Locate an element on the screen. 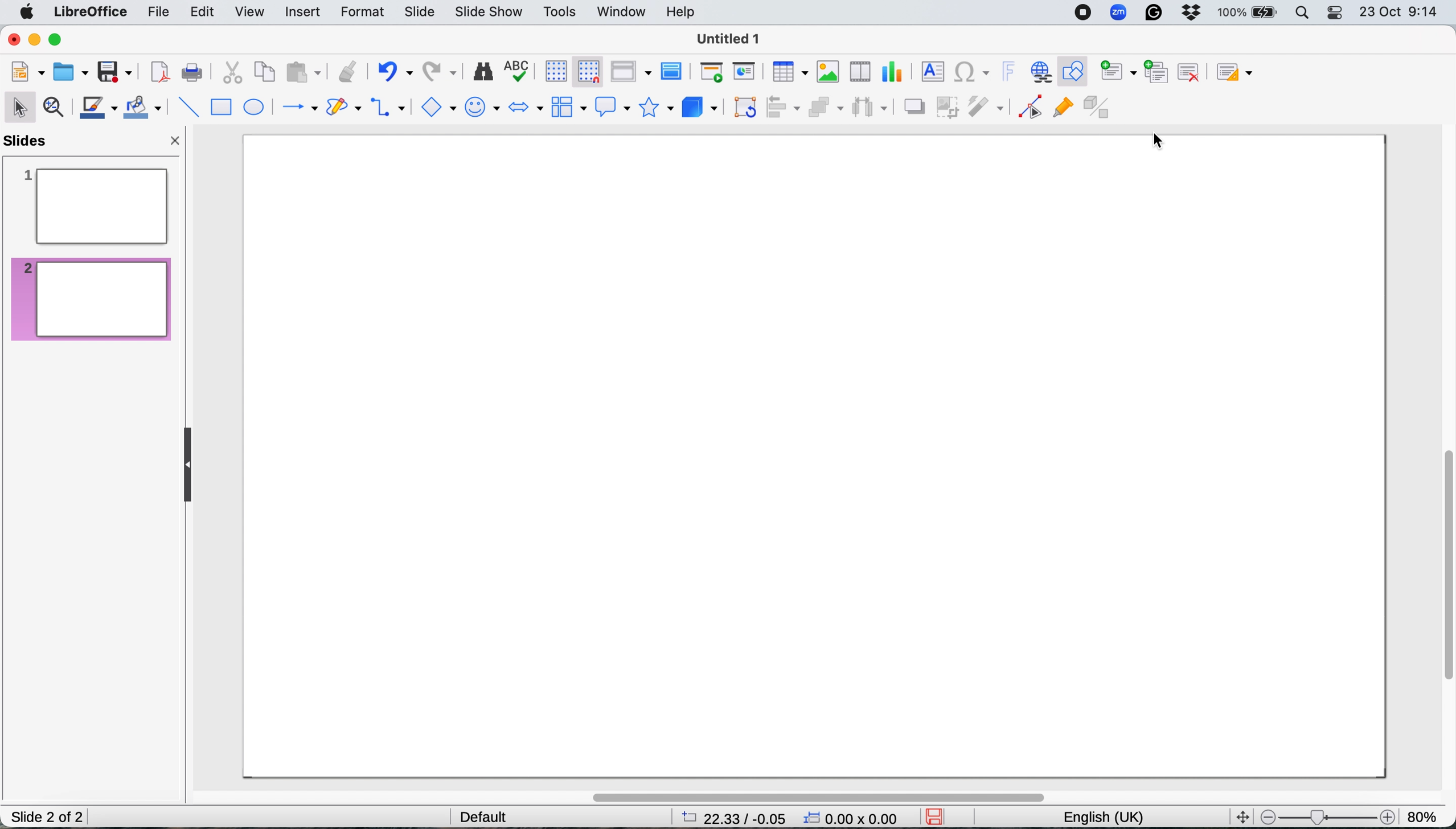 The width and height of the screenshot is (1456, 829). insert is located at coordinates (303, 11).